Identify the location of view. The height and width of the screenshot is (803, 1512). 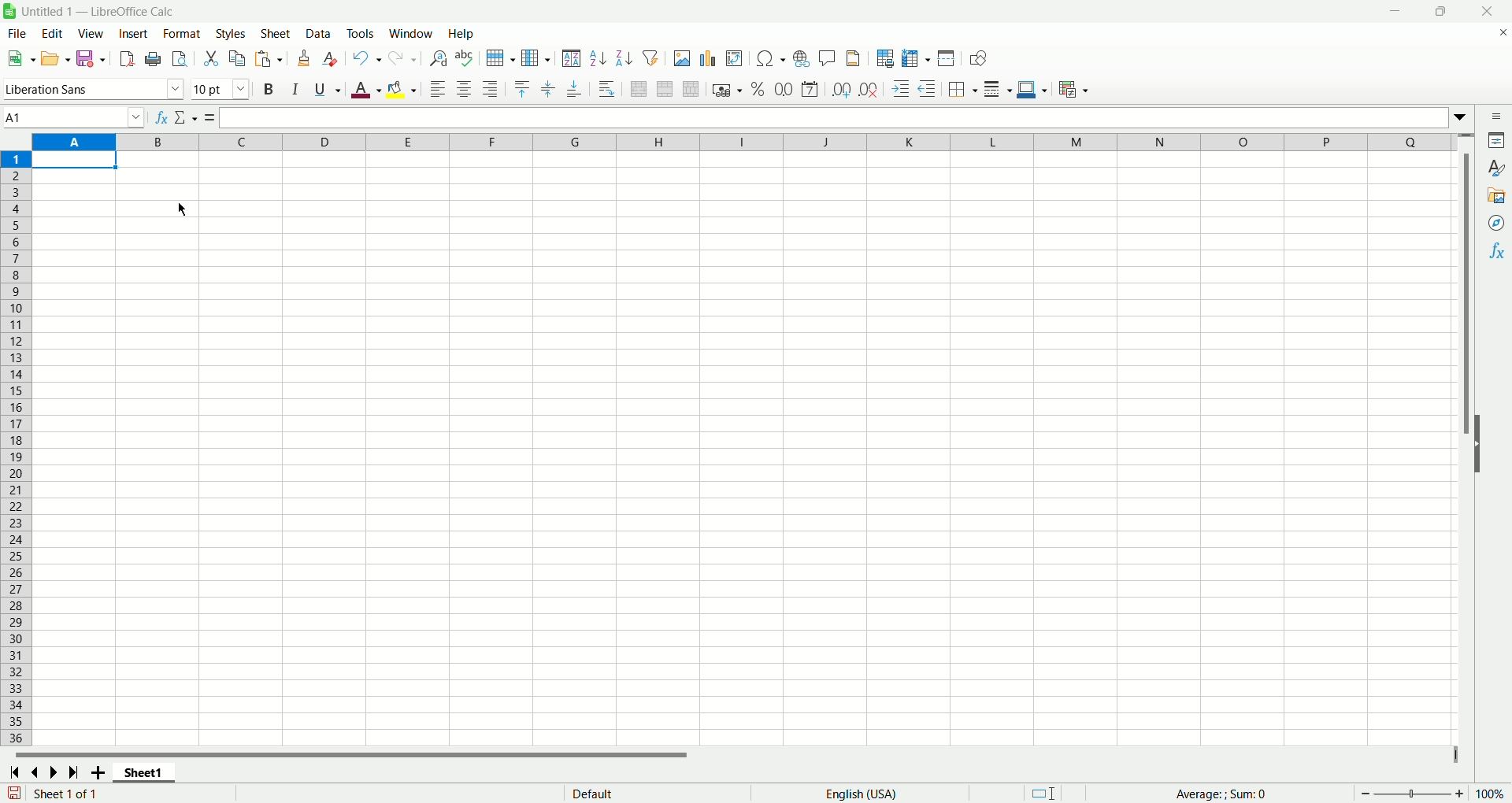
(92, 33).